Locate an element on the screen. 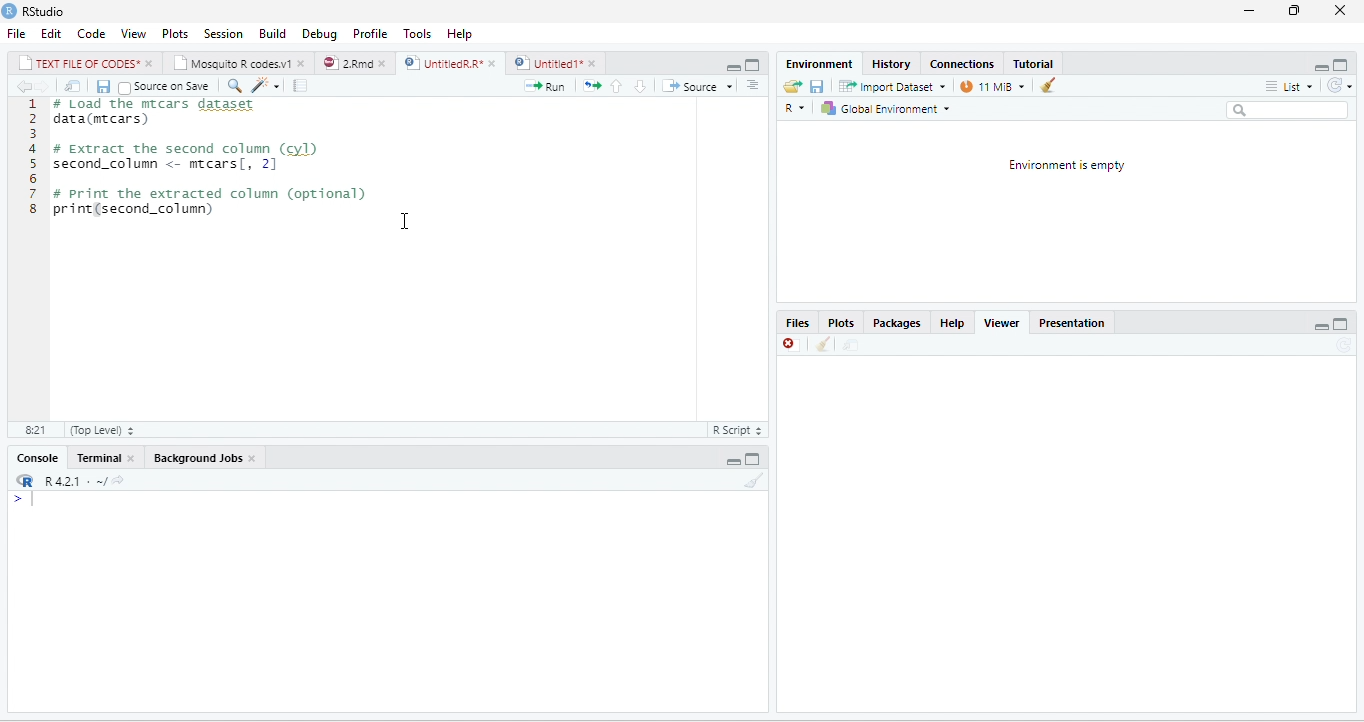 The height and width of the screenshot is (722, 1364). minimize is located at coordinates (1320, 324).